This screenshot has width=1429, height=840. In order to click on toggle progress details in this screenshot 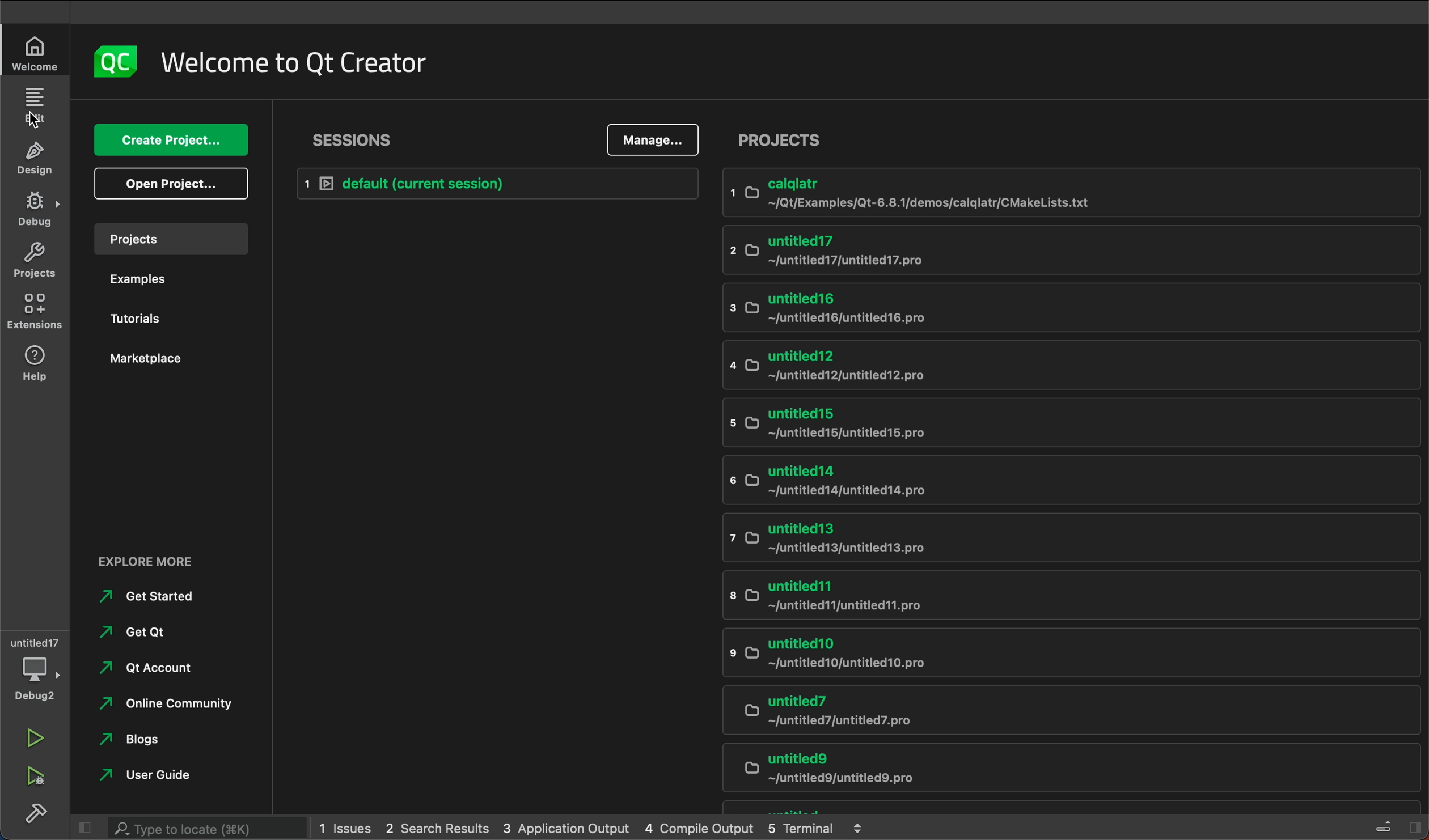, I will do `click(1384, 828)`.